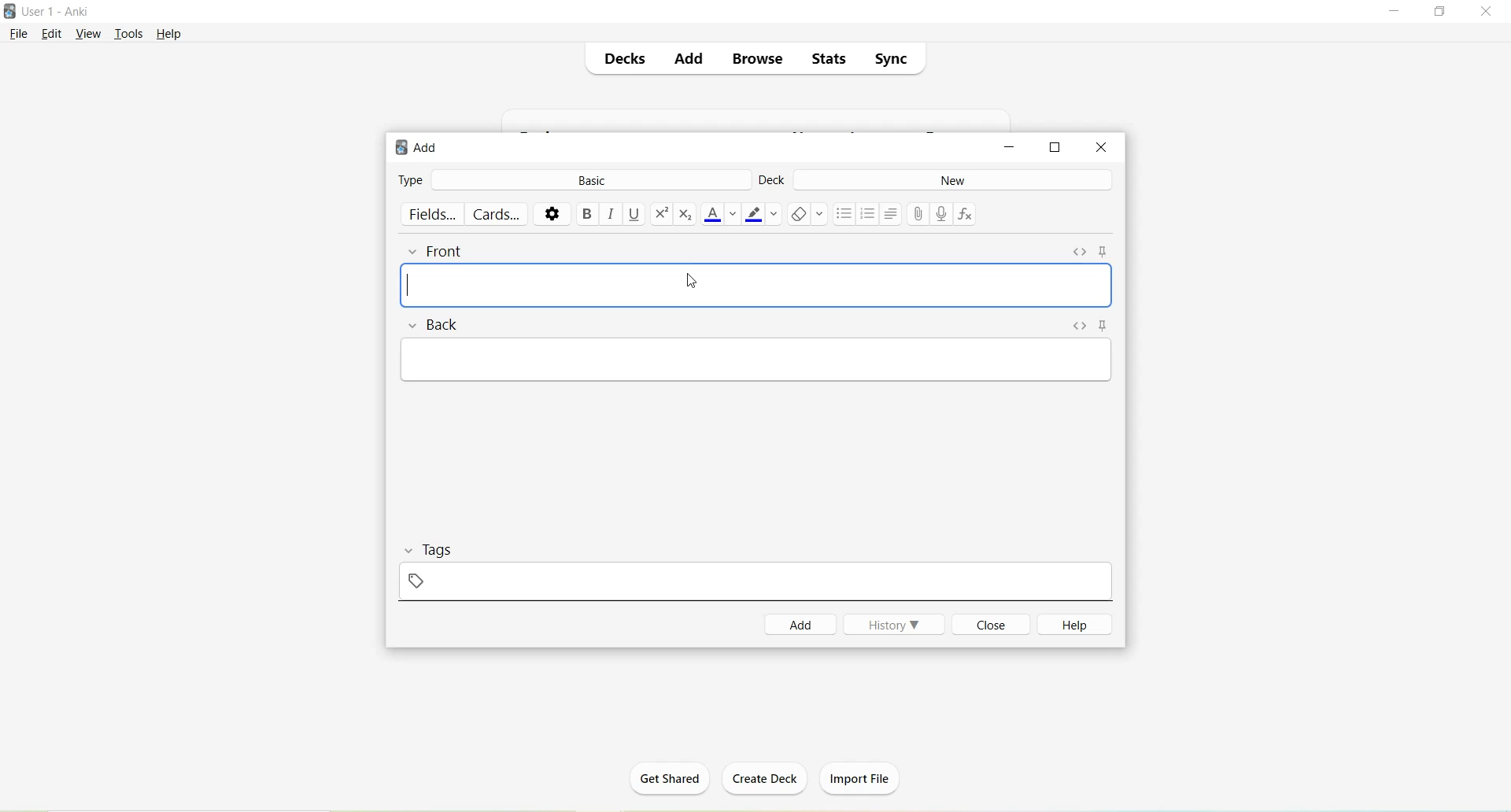  What do you see at coordinates (129, 35) in the screenshot?
I see `Tools` at bounding box center [129, 35].